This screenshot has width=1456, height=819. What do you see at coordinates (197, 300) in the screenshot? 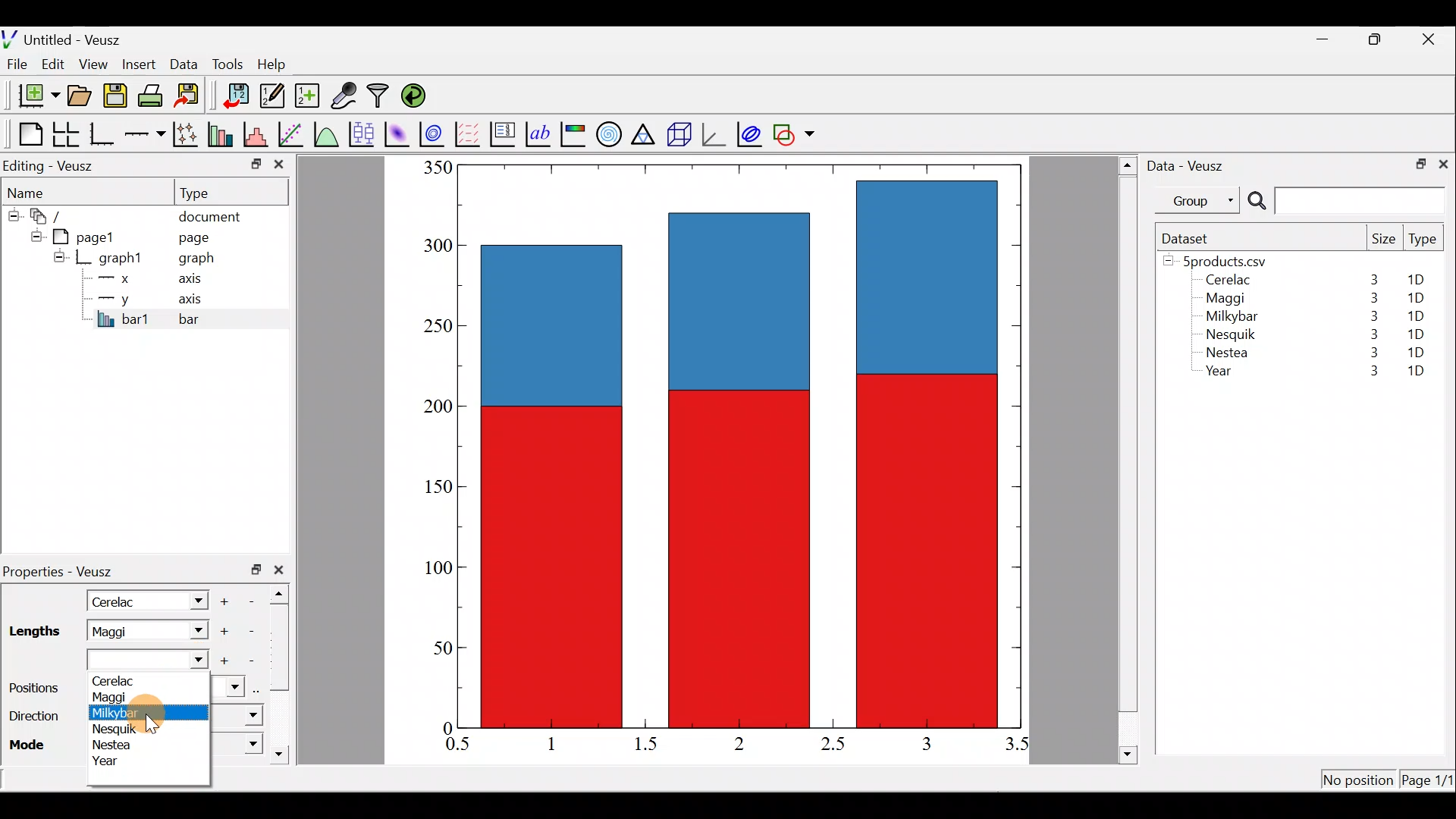
I see `axis` at bounding box center [197, 300].